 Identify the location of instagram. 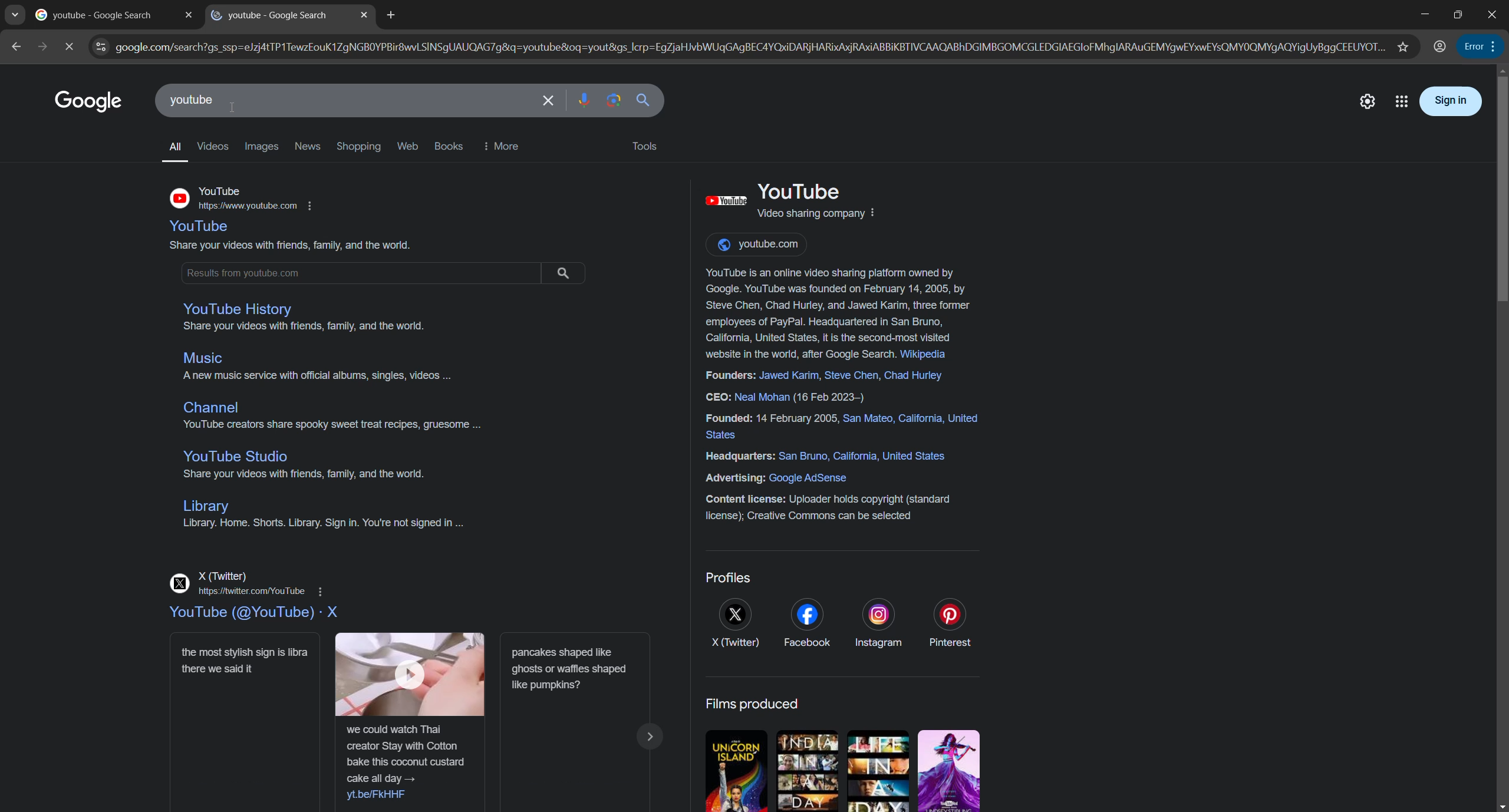
(876, 623).